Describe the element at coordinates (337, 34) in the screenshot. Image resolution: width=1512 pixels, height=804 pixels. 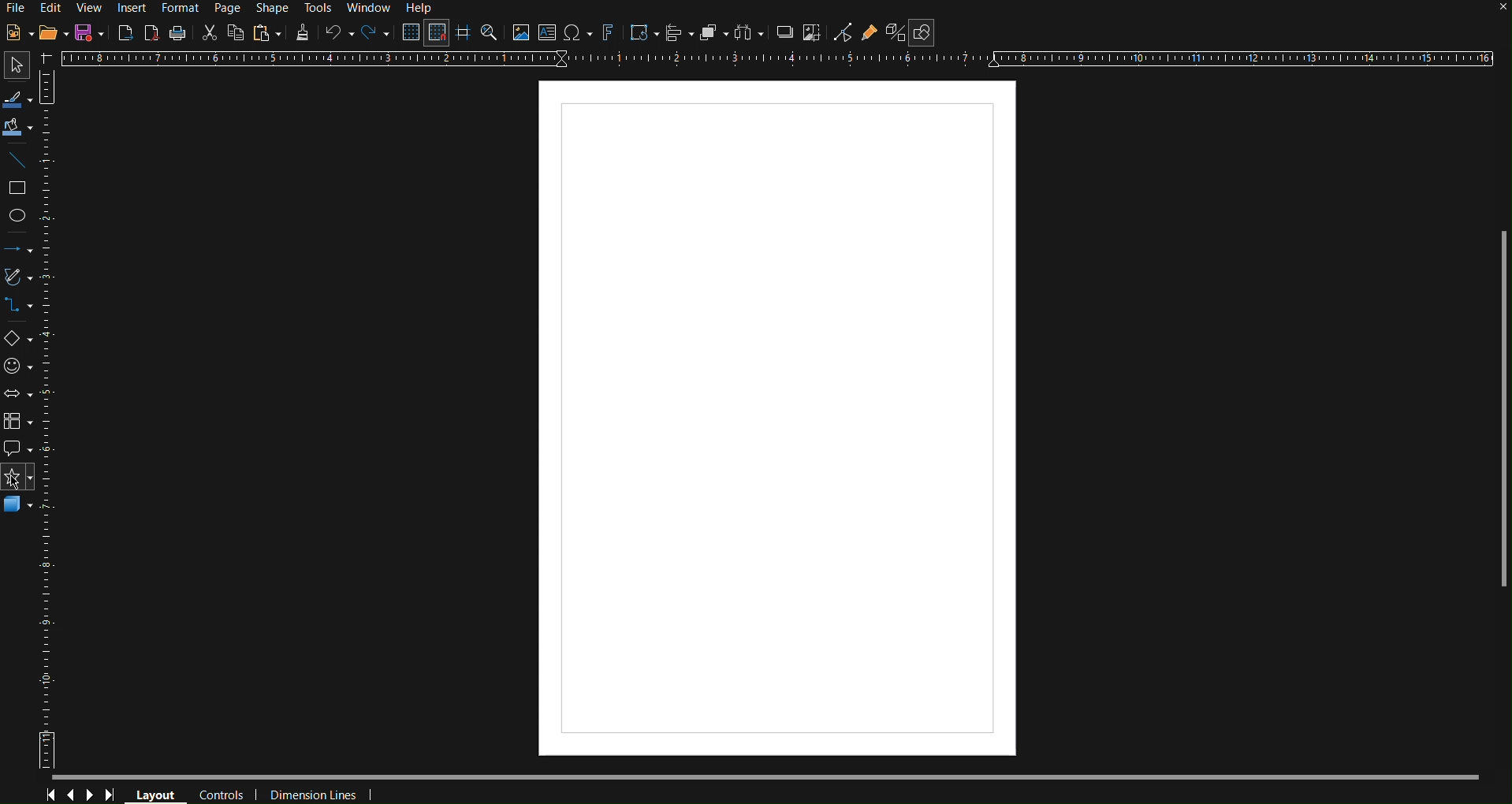
I see `Undo` at that location.